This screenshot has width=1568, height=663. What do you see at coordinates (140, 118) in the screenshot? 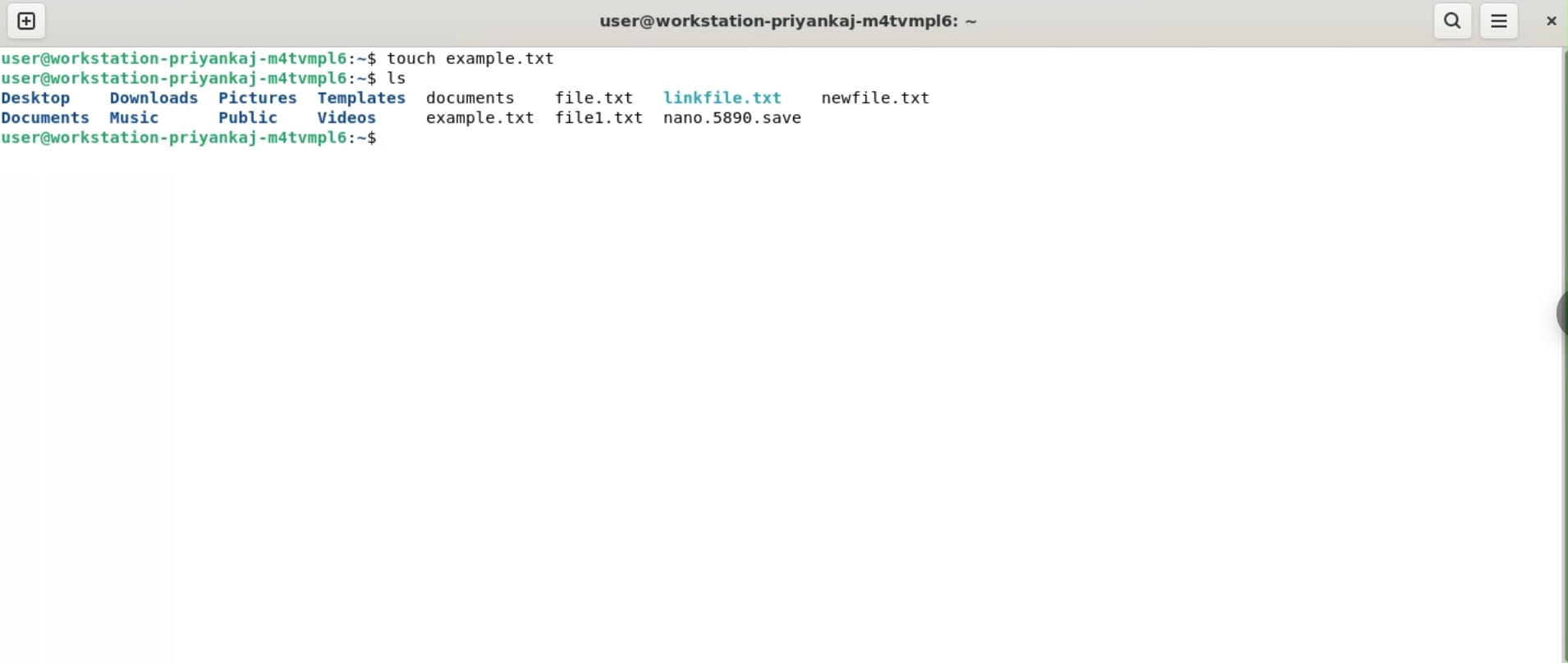
I see `music` at bounding box center [140, 118].